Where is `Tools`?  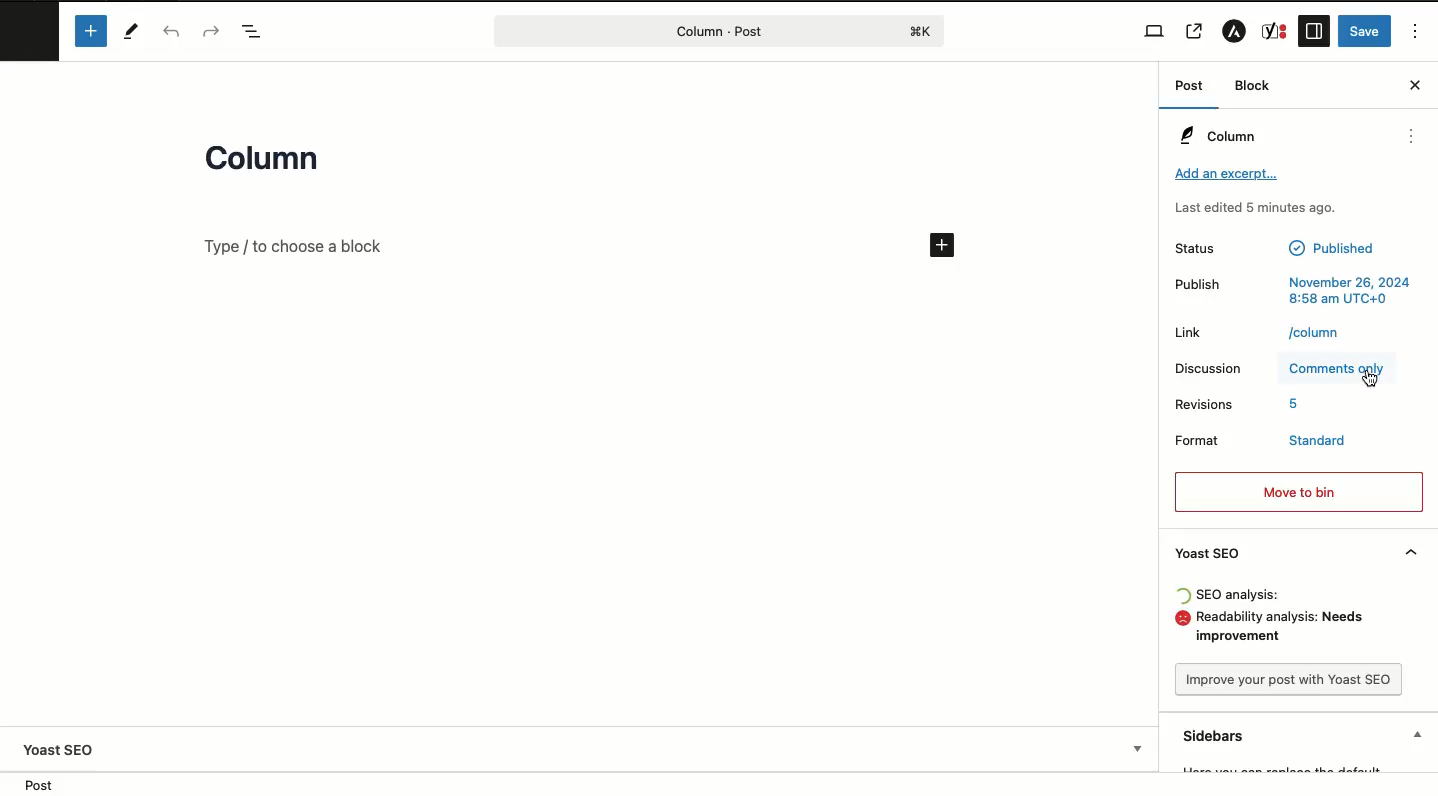
Tools is located at coordinates (133, 32).